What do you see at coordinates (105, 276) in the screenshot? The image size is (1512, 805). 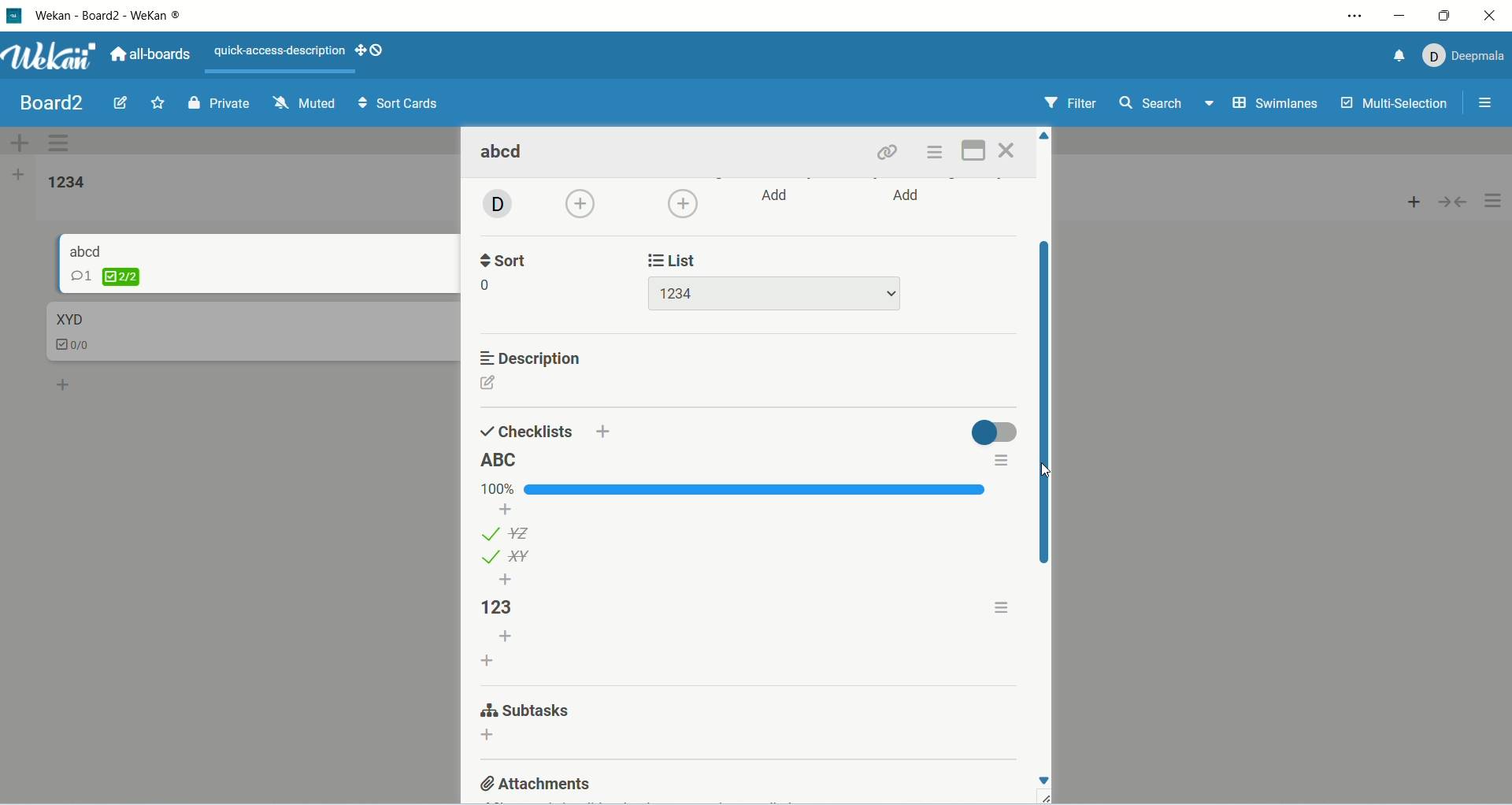 I see `checklist` at bounding box center [105, 276].